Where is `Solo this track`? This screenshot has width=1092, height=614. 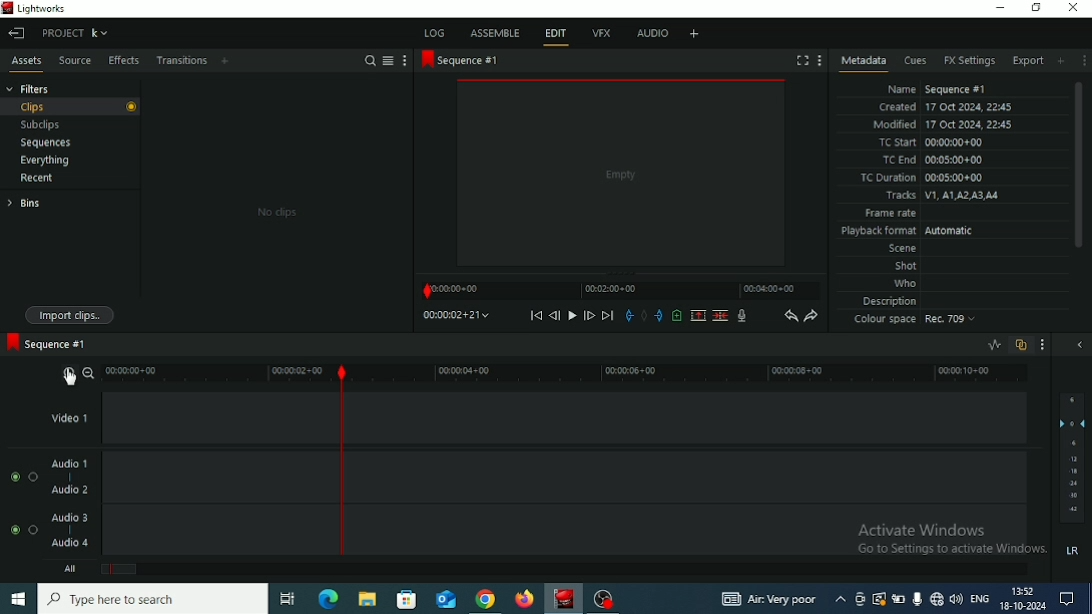 Solo this track is located at coordinates (33, 529).